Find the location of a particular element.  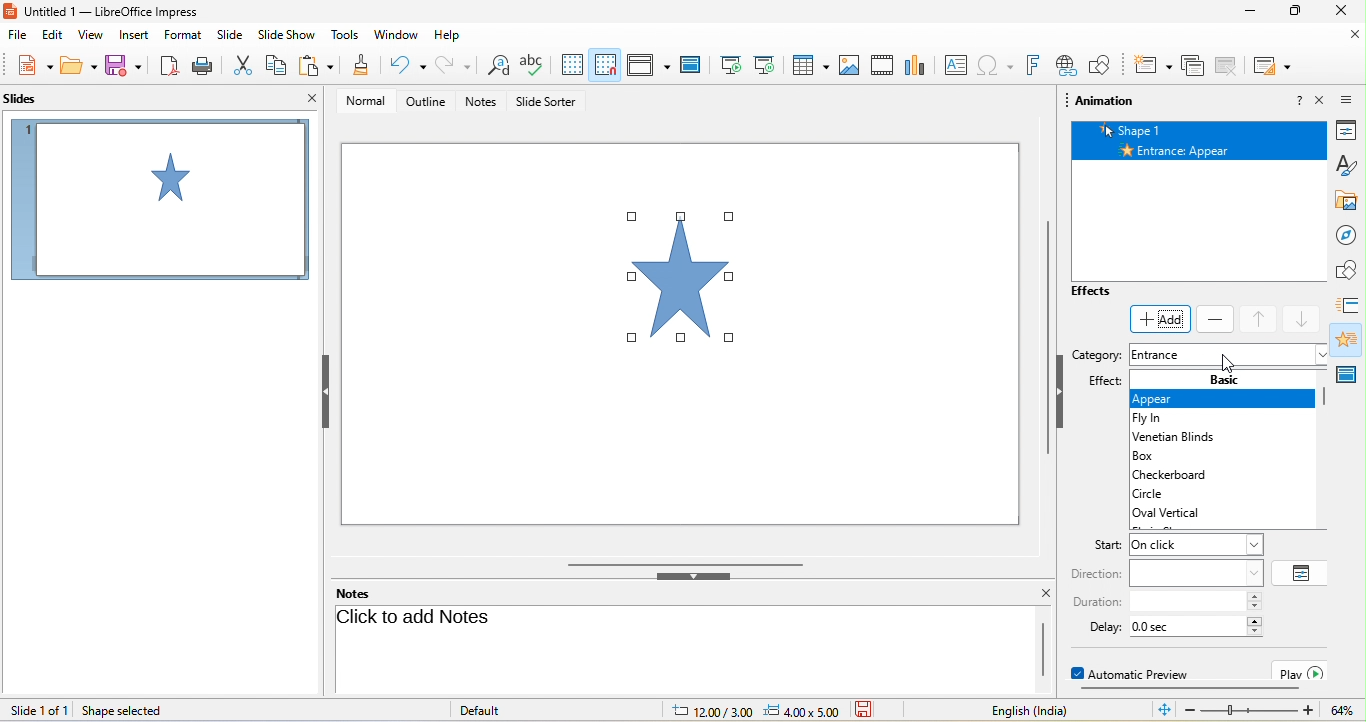

close is located at coordinates (1321, 100).